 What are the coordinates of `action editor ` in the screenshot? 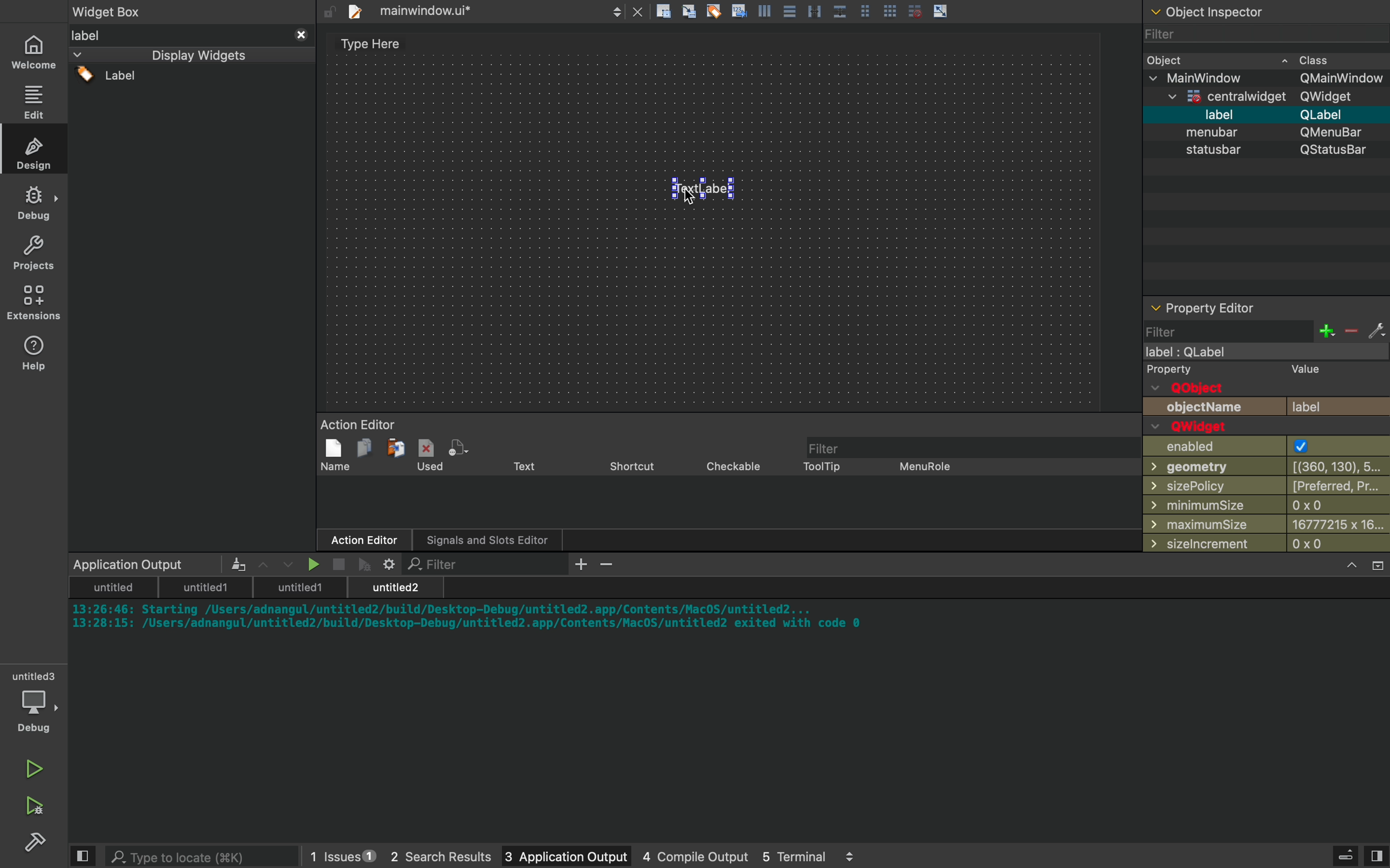 It's located at (724, 486).